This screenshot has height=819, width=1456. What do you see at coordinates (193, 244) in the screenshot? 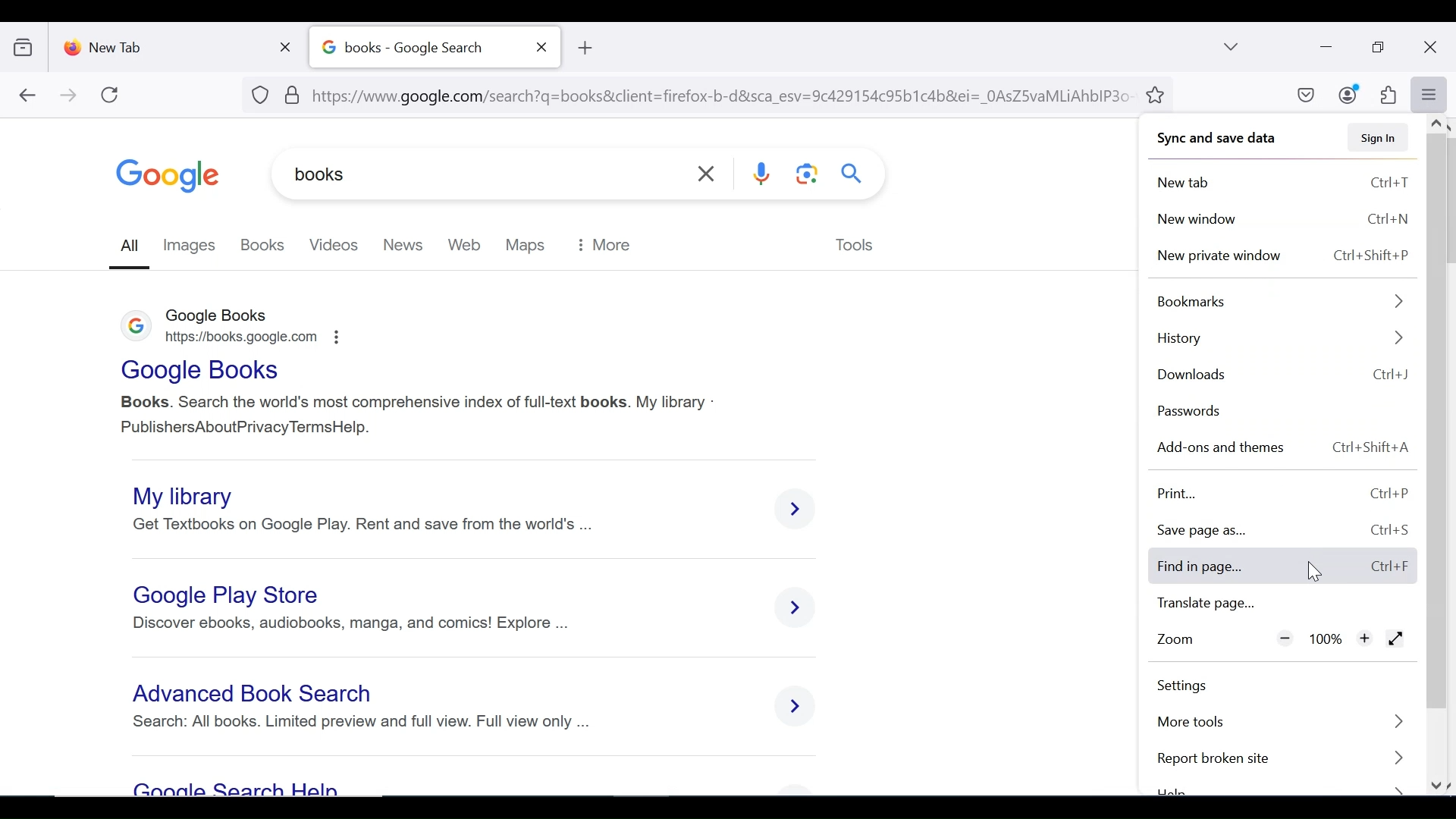
I see `images` at bounding box center [193, 244].